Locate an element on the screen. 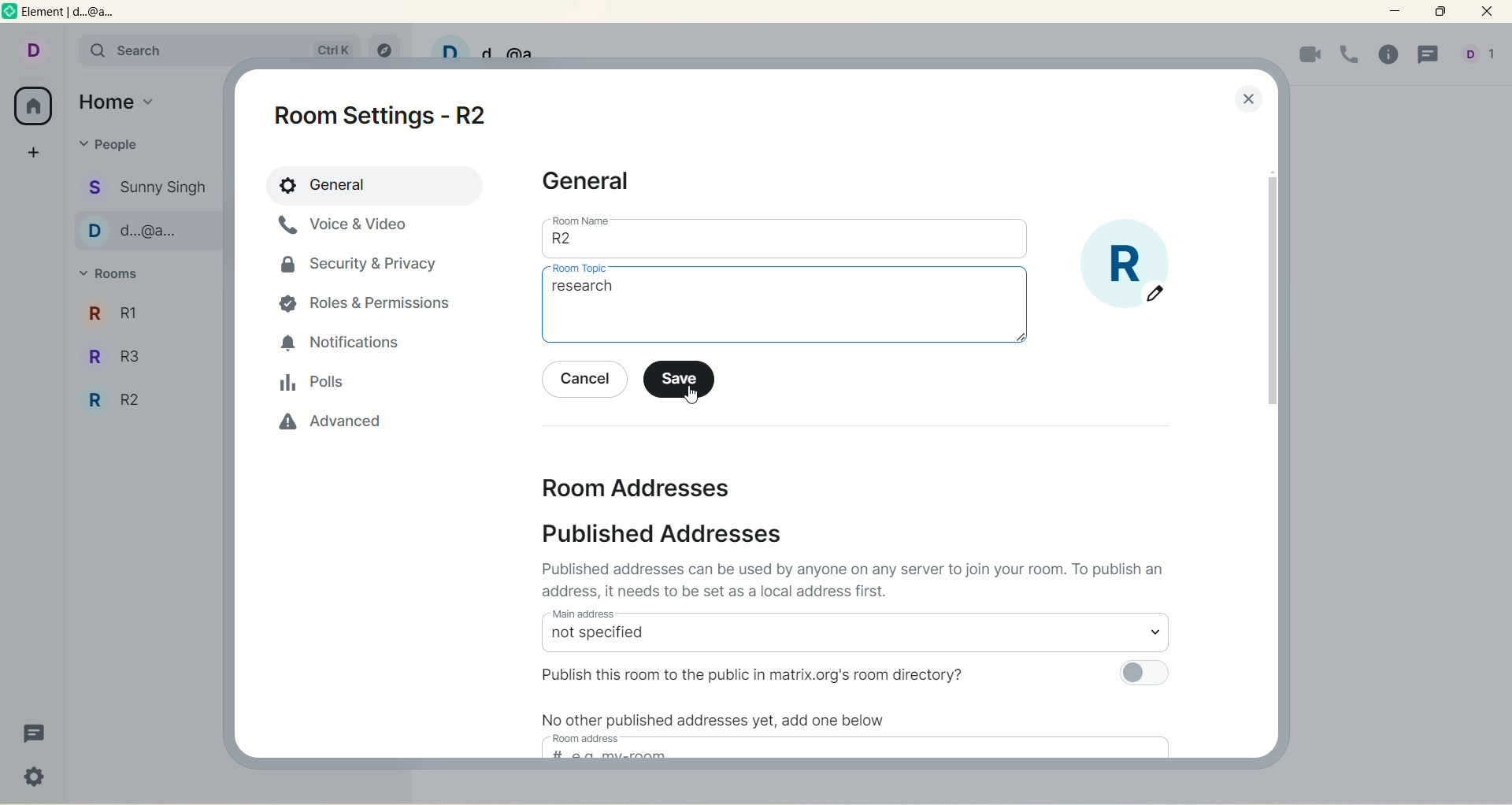  vertical scroll bar is located at coordinates (1269, 292).